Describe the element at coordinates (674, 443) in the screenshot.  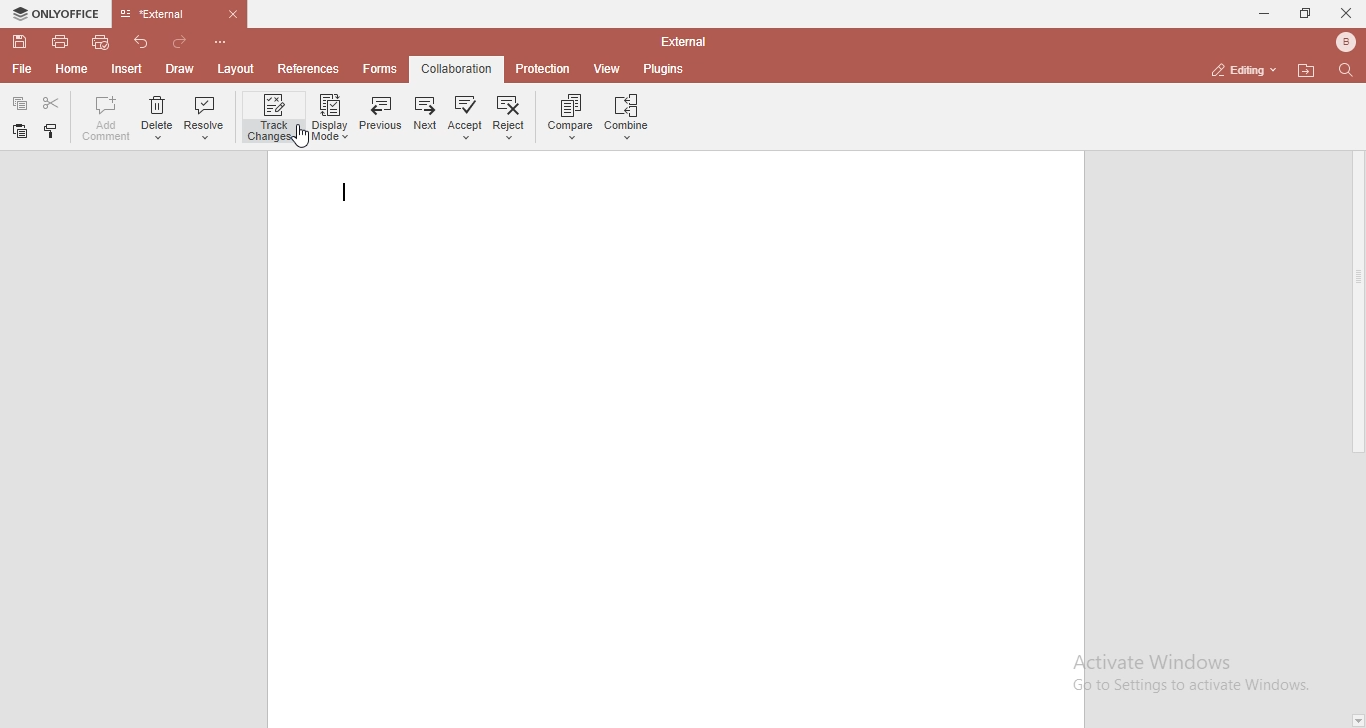
I see `blank page` at that location.